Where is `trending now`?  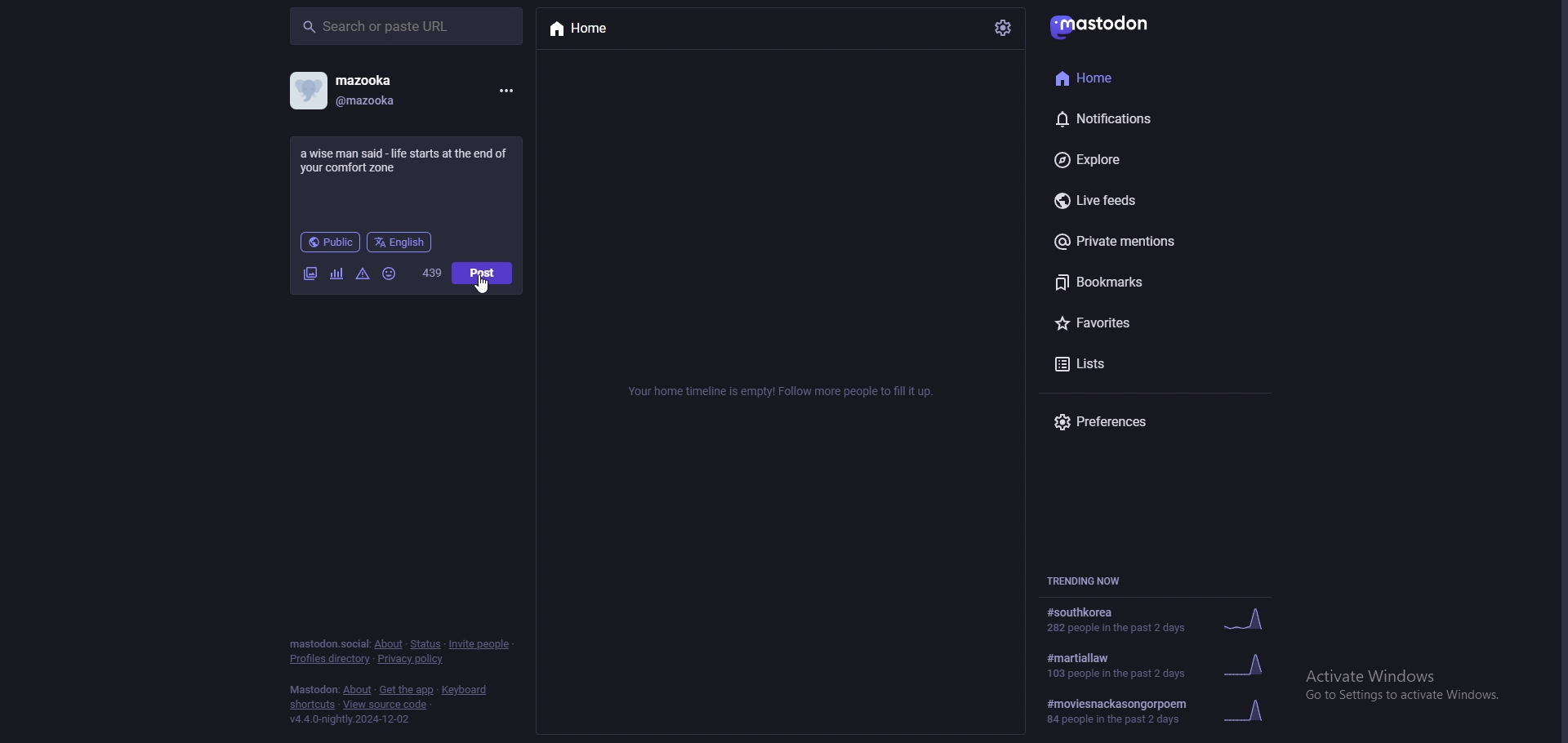 trending now is located at coordinates (1095, 581).